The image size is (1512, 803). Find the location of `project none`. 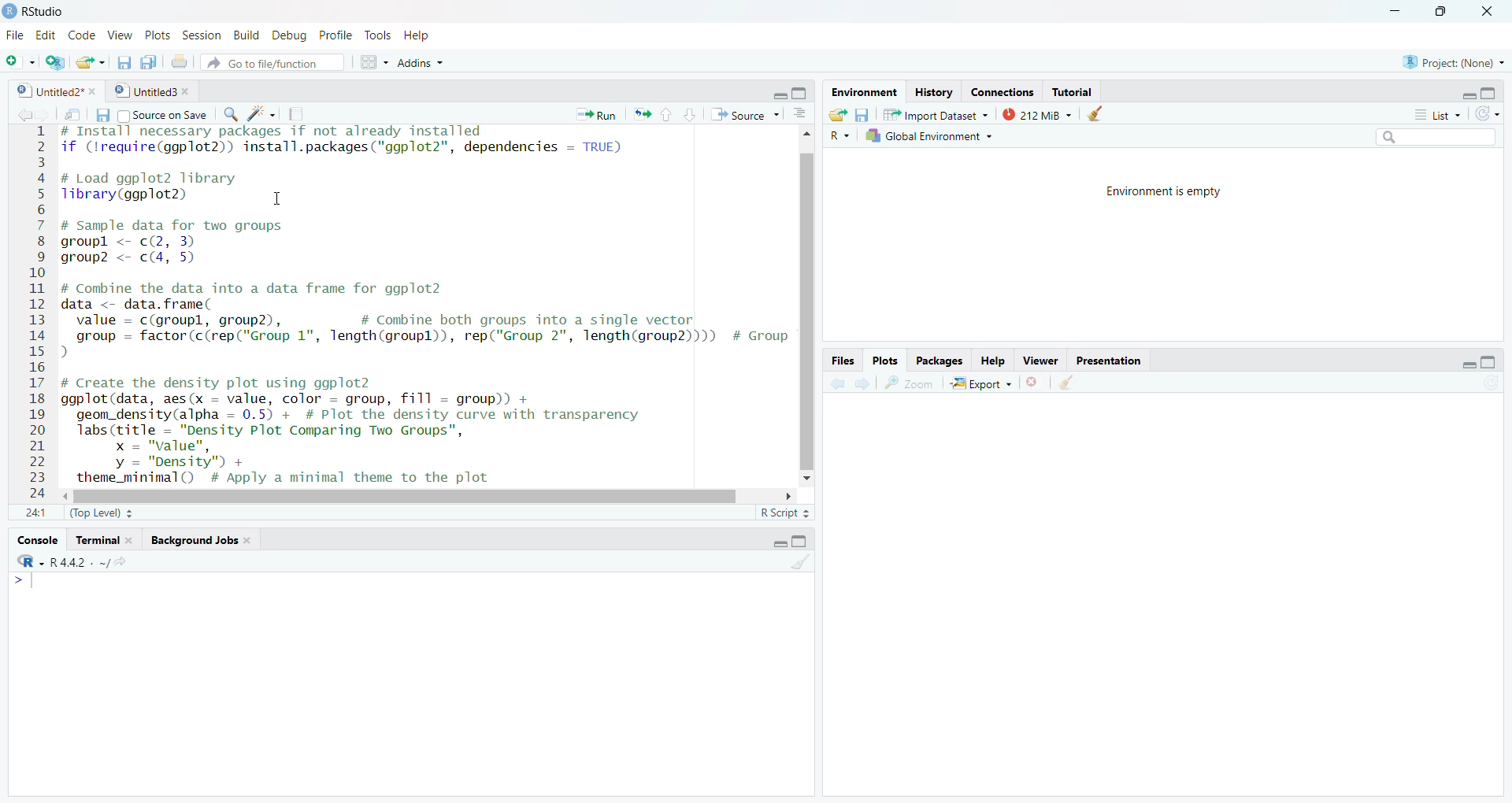

project none is located at coordinates (1450, 60).